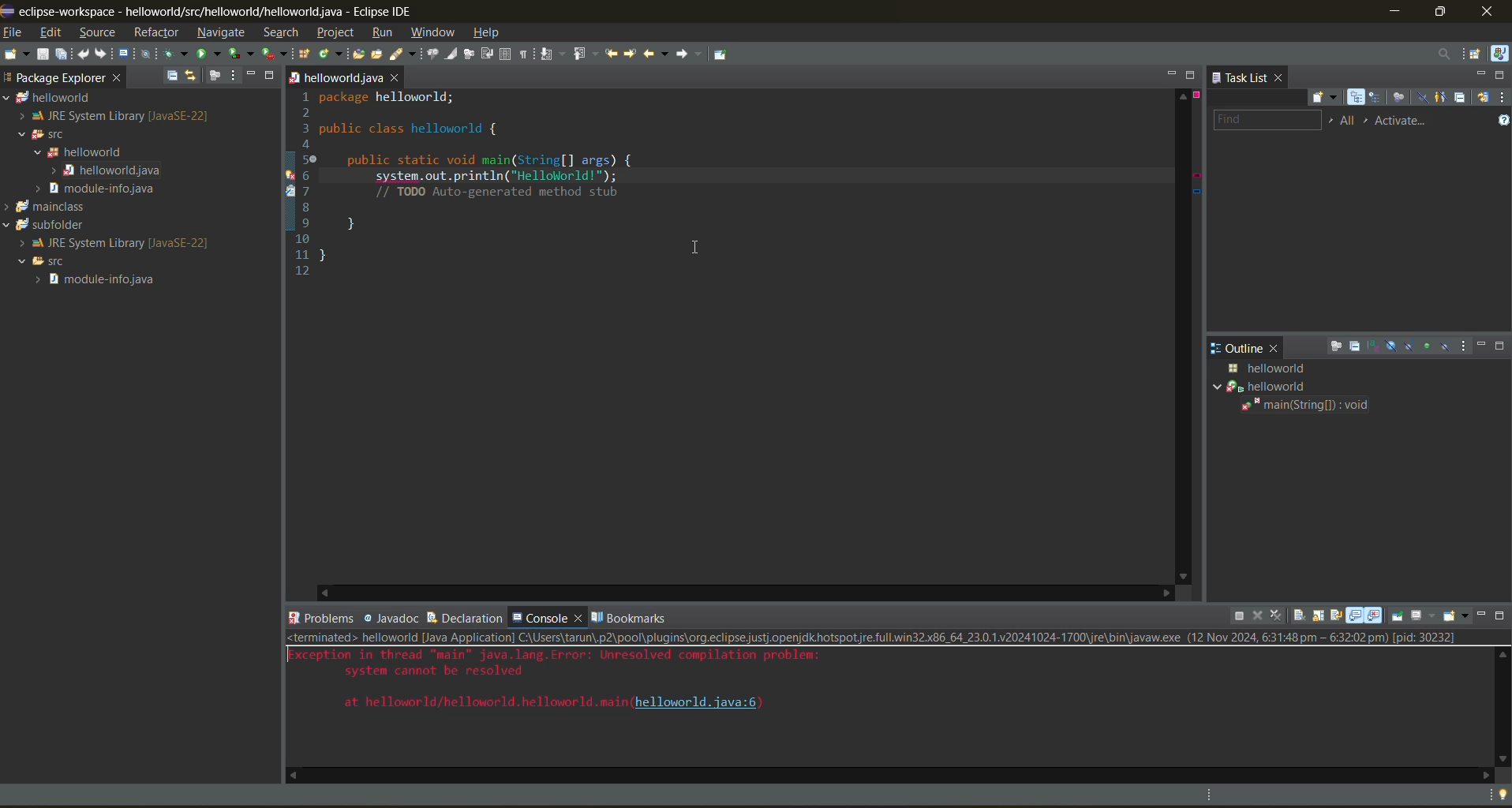 The height and width of the screenshot is (808, 1512). Describe the element at coordinates (53, 78) in the screenshot. I see `package explorer` at that location.